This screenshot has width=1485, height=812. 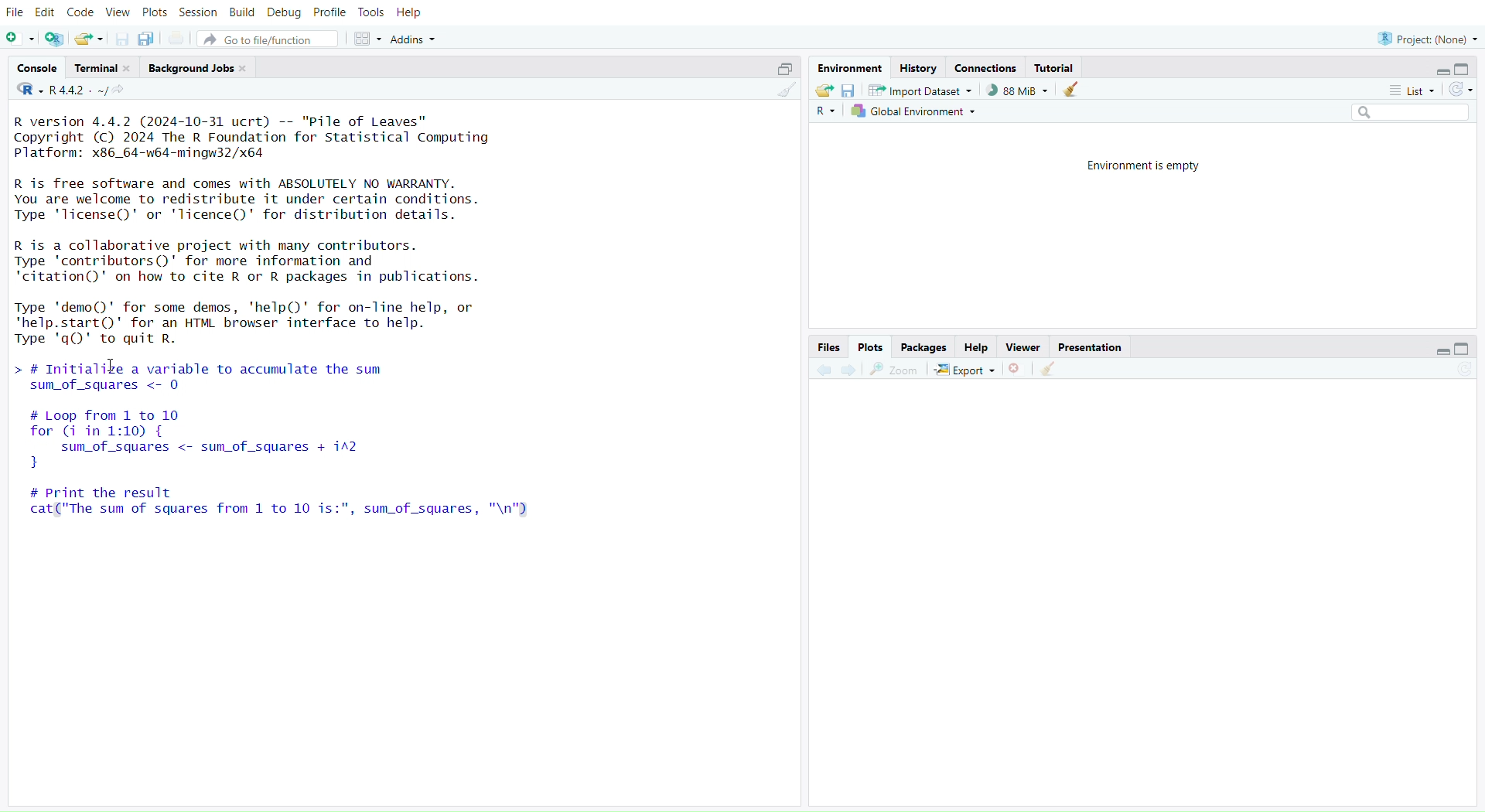 What do you see at coordinates (1468, 368) in the screenshot?
I see `refresh current plot` at bounding box center [1468, 368].